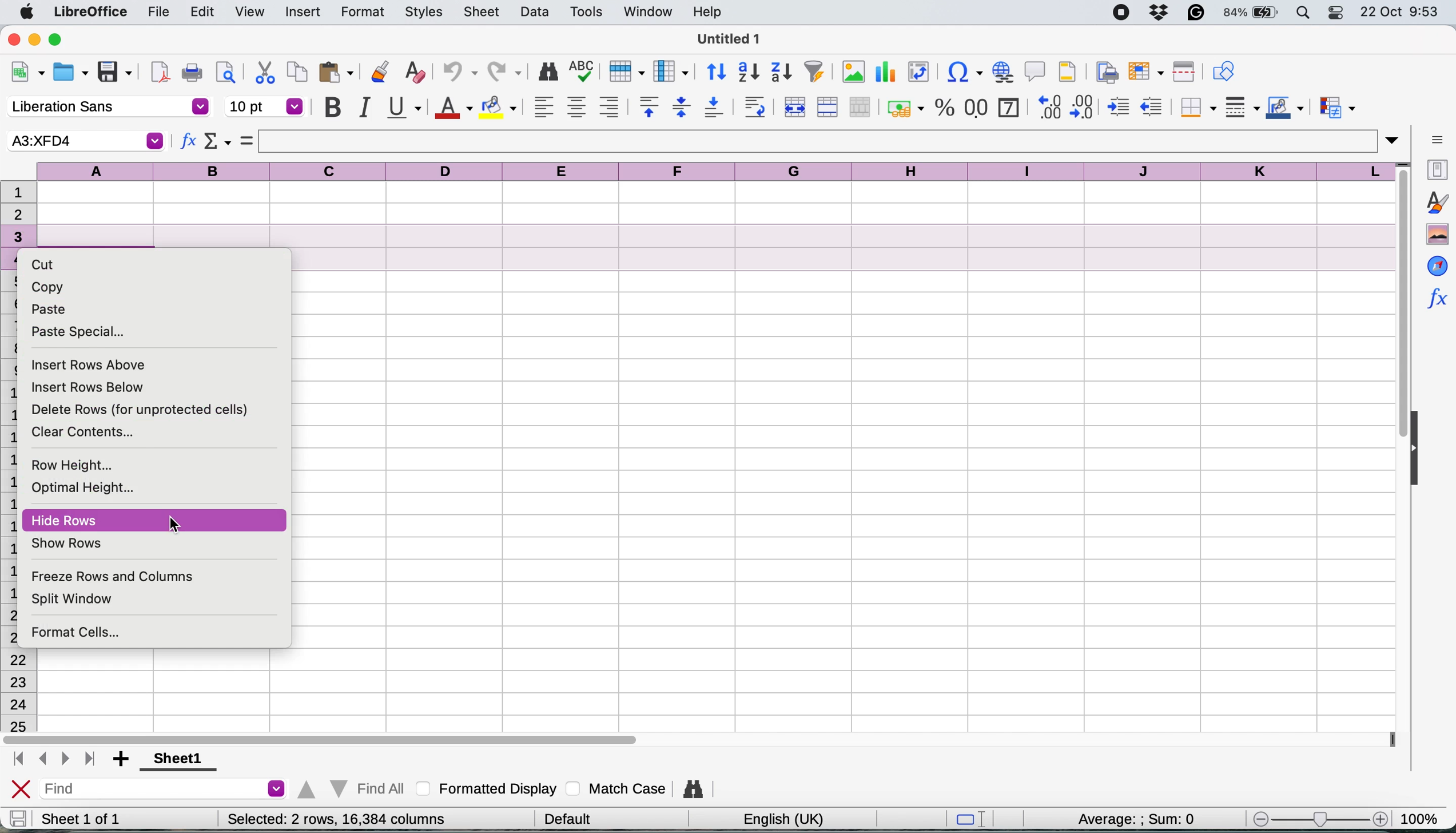 This screenshot has width=1456, height=833. Describe the element at coordinates (904, 108) in the screenshot. I see `format as currency` at that location.